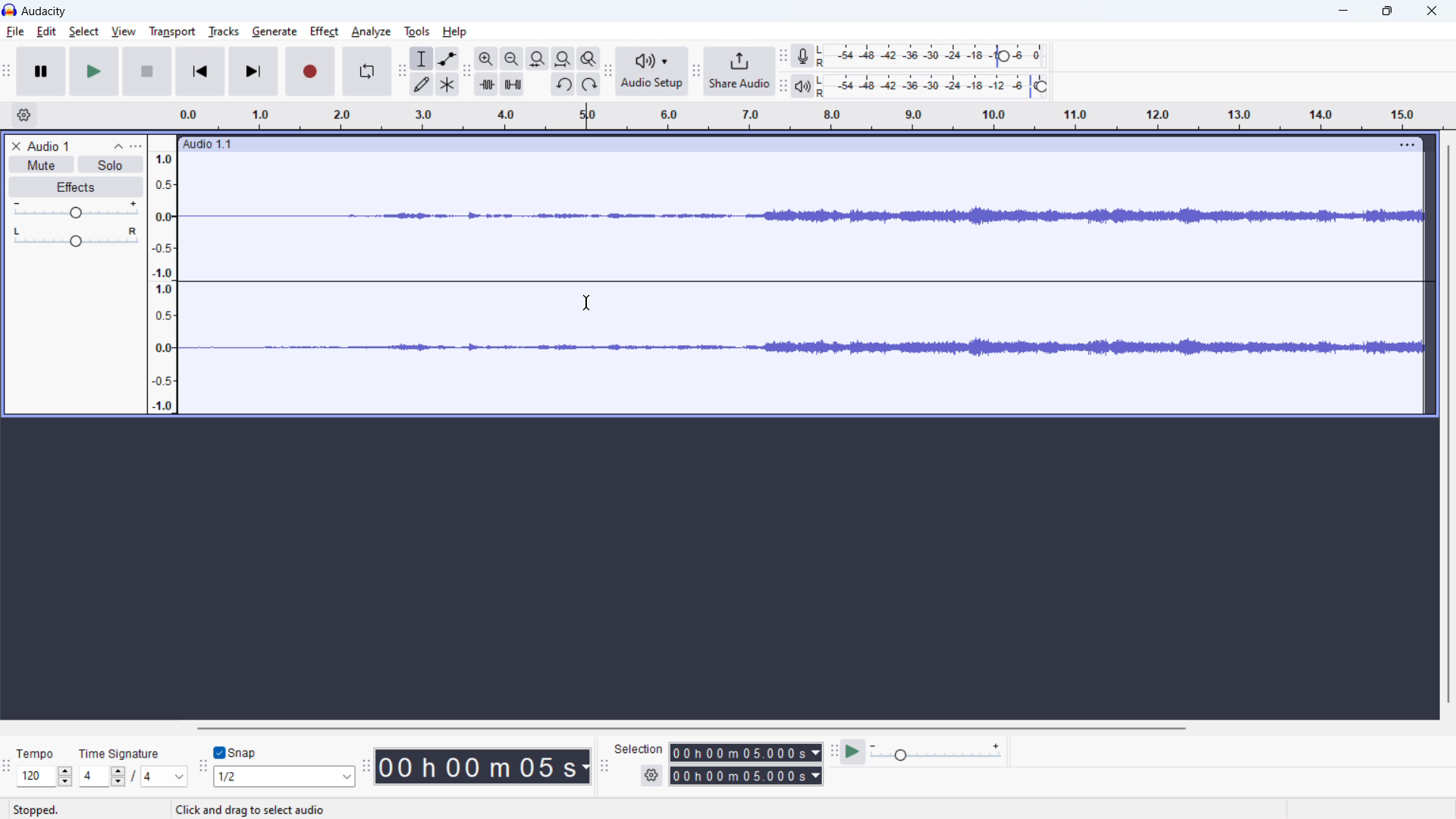  I want to click on pause, so click(147, 71).